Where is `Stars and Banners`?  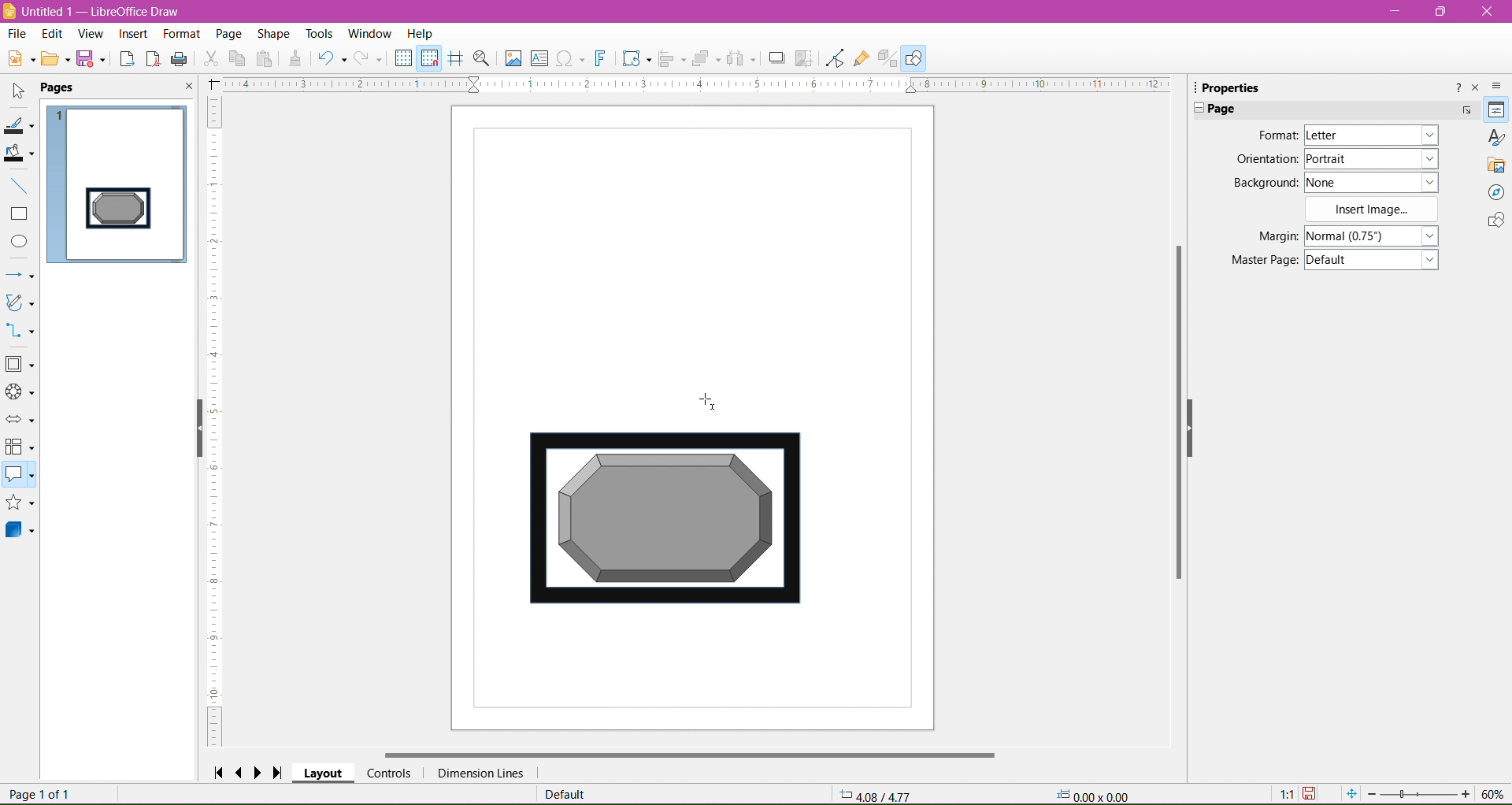 Stars and Banners is located at coordinates (20, 504).